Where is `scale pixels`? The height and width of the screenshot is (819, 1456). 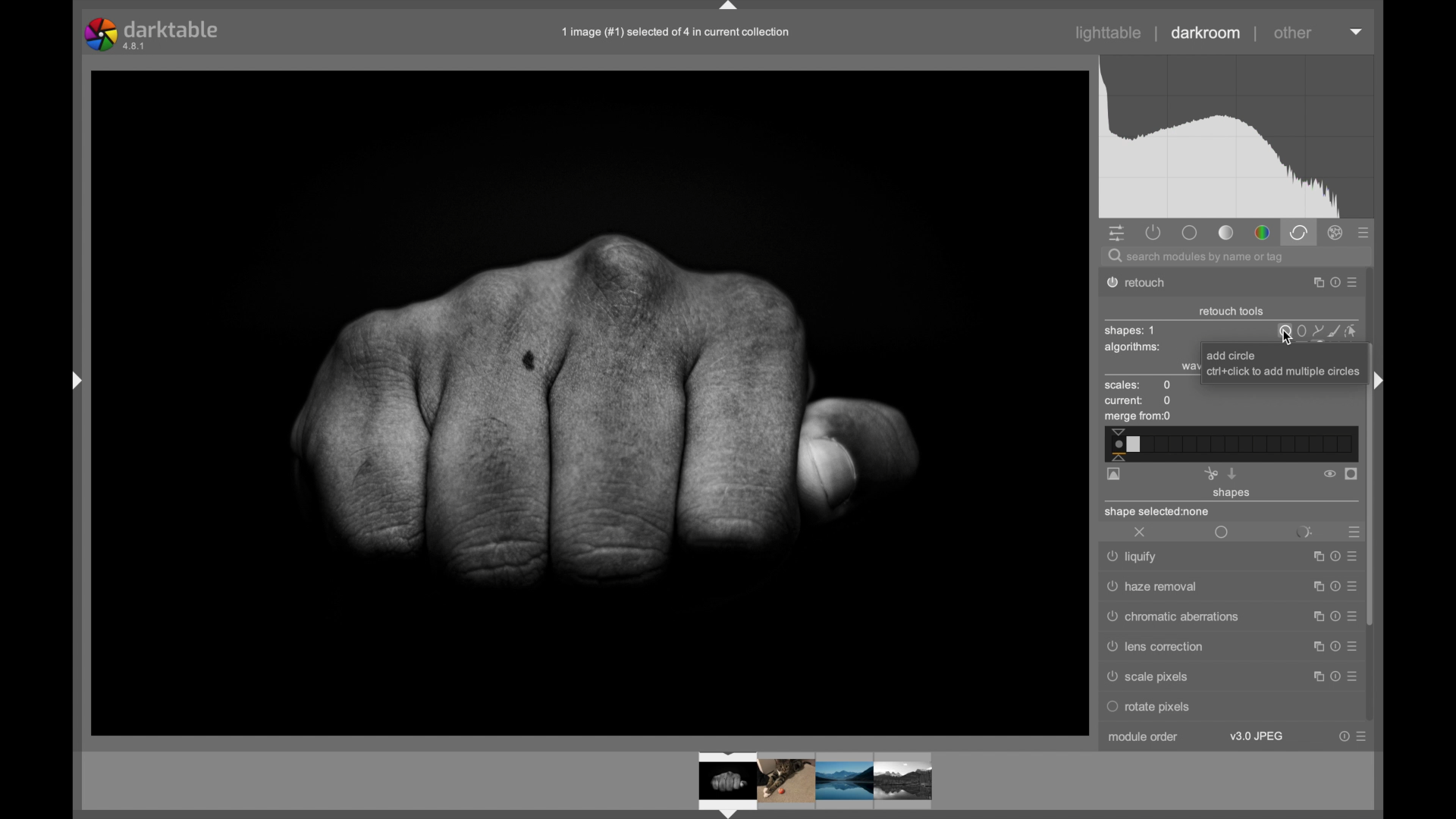 scale pixels is located at coordinates (1152, 677).